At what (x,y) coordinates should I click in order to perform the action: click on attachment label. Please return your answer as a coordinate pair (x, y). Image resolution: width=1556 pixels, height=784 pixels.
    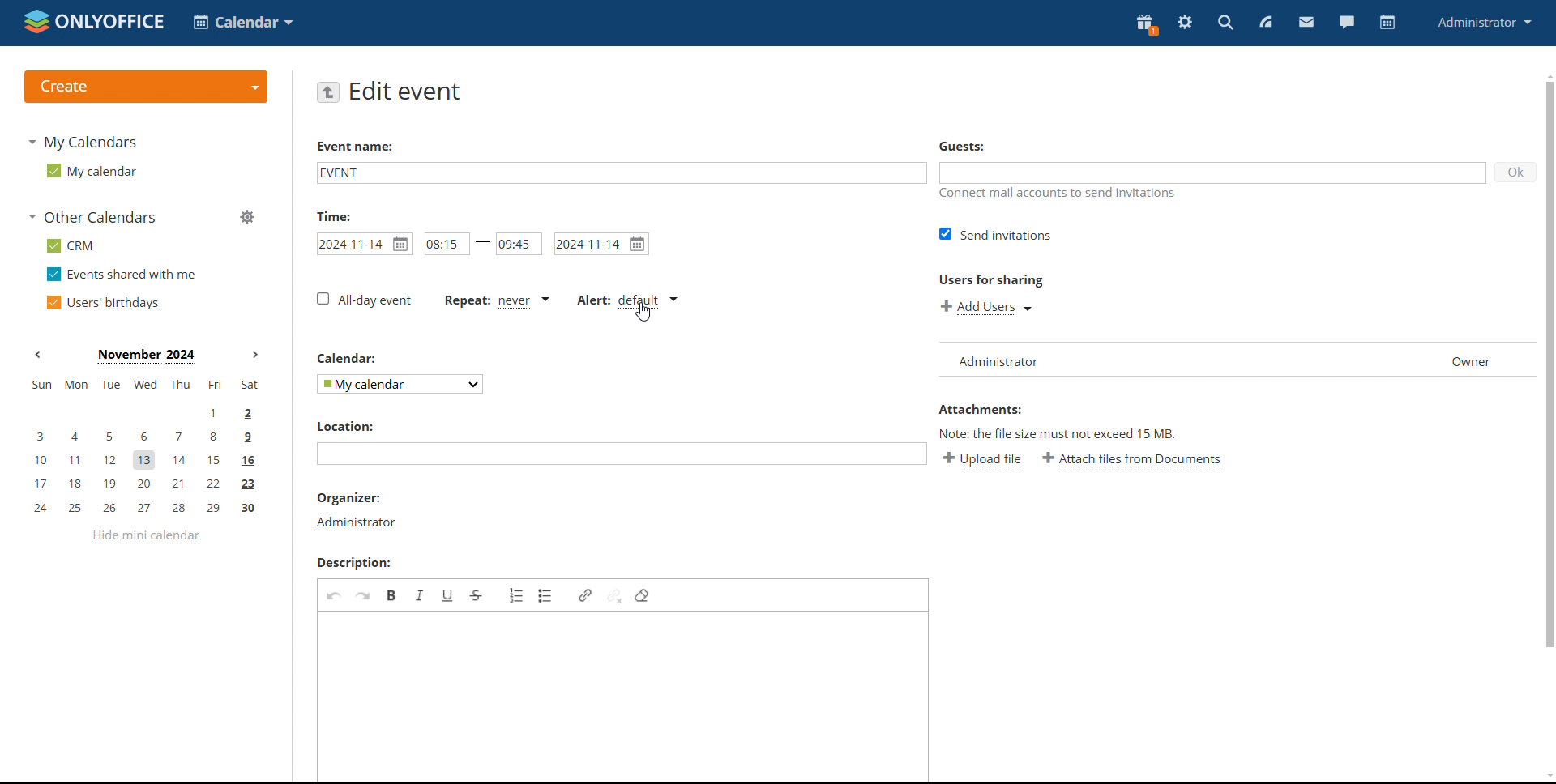
    Looking at the image, I should click on (988, 408).